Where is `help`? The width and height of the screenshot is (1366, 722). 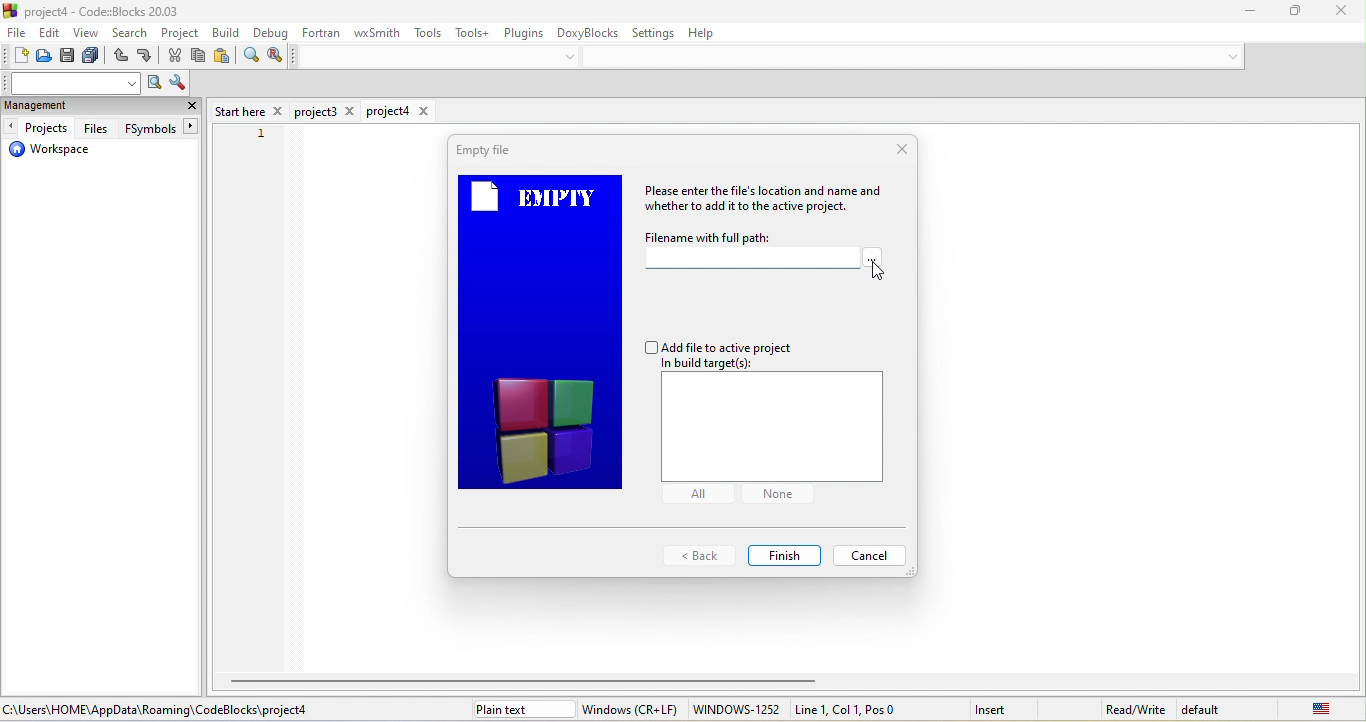
help is located at coordinates (711, 35).